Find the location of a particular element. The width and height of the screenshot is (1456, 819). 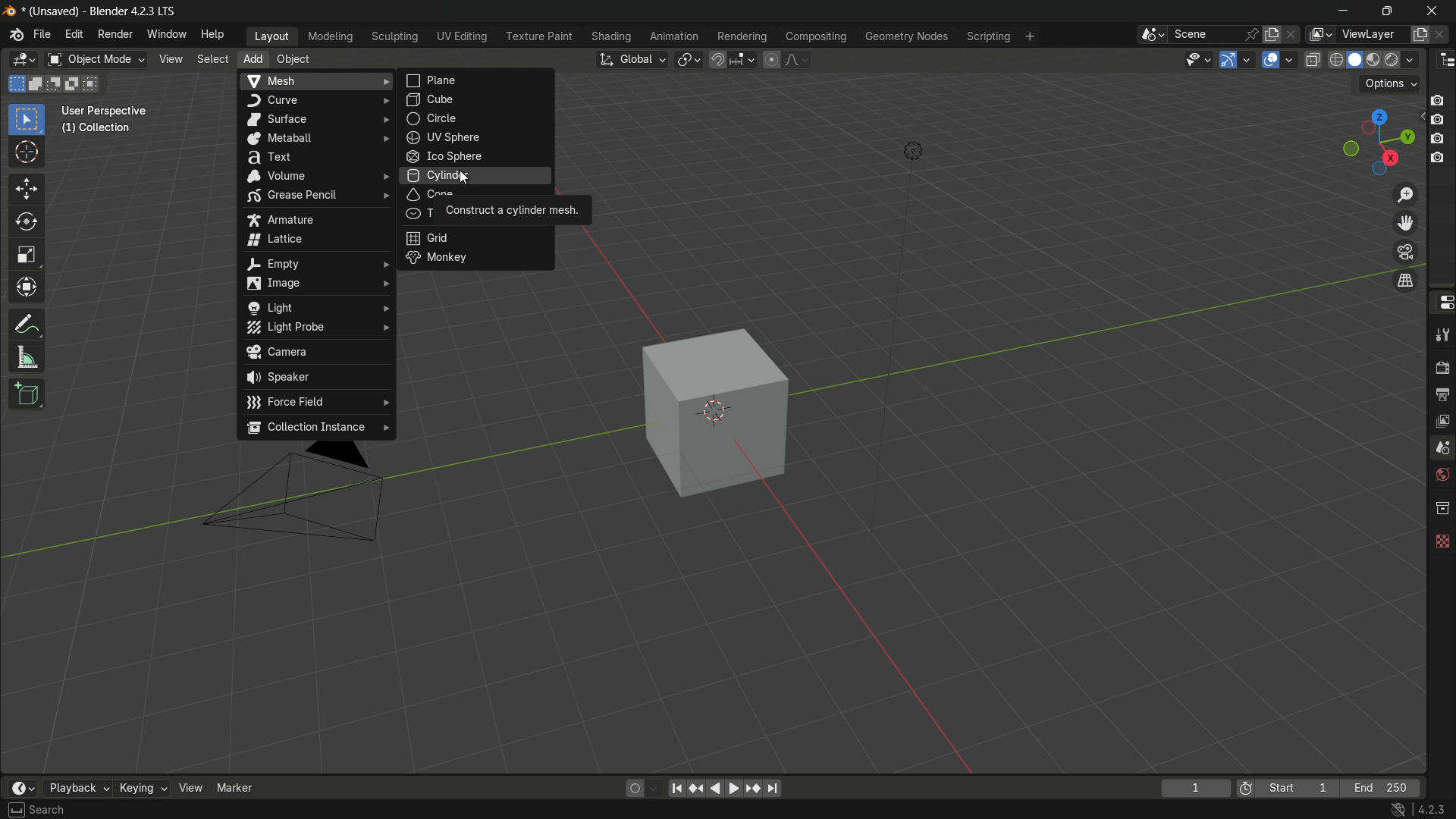

cursor is located at coordinates (27, 153).